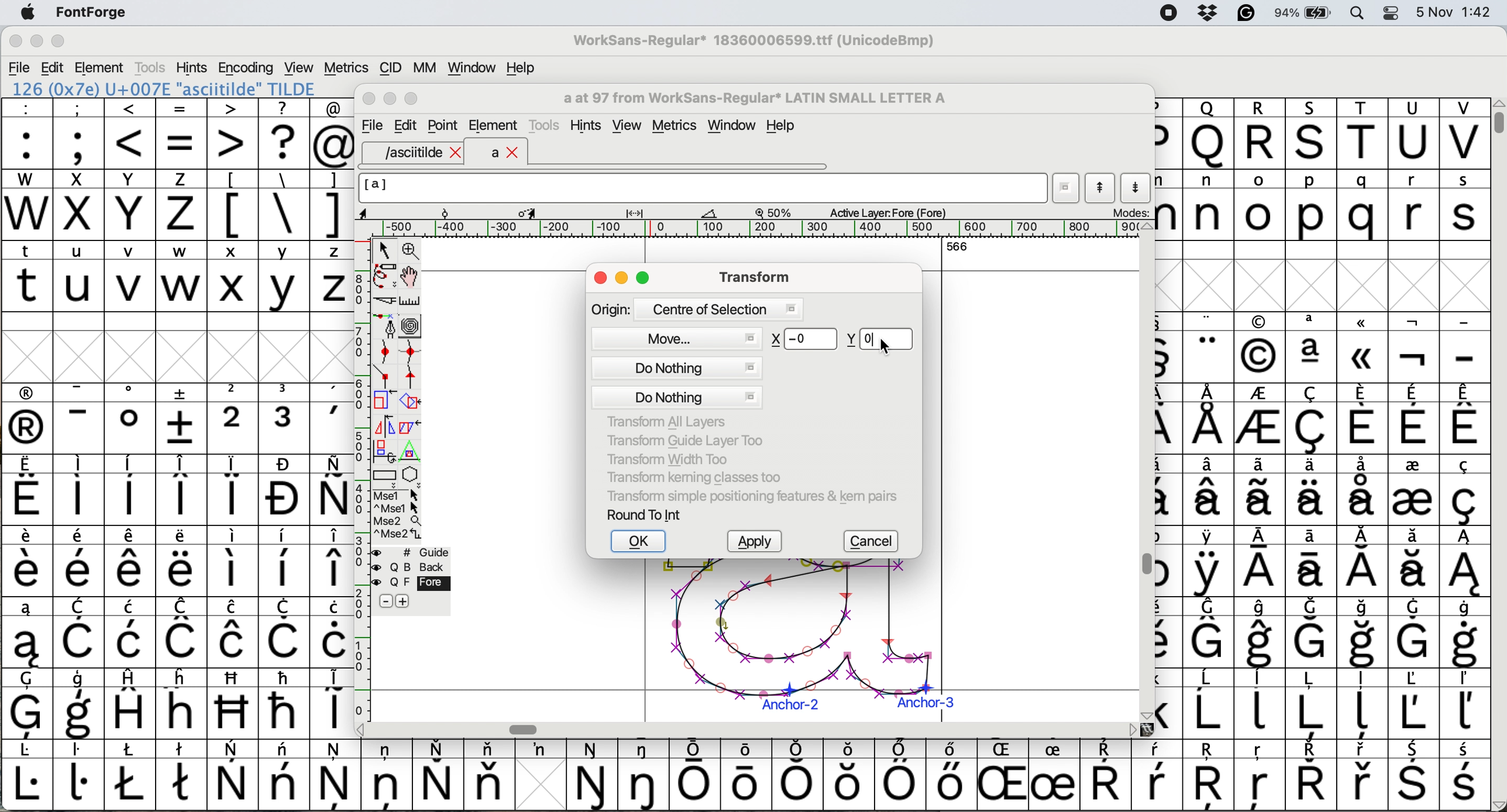 The width and height of the screenshot is (1507, 812). I want to click on y, so click(282, 277).